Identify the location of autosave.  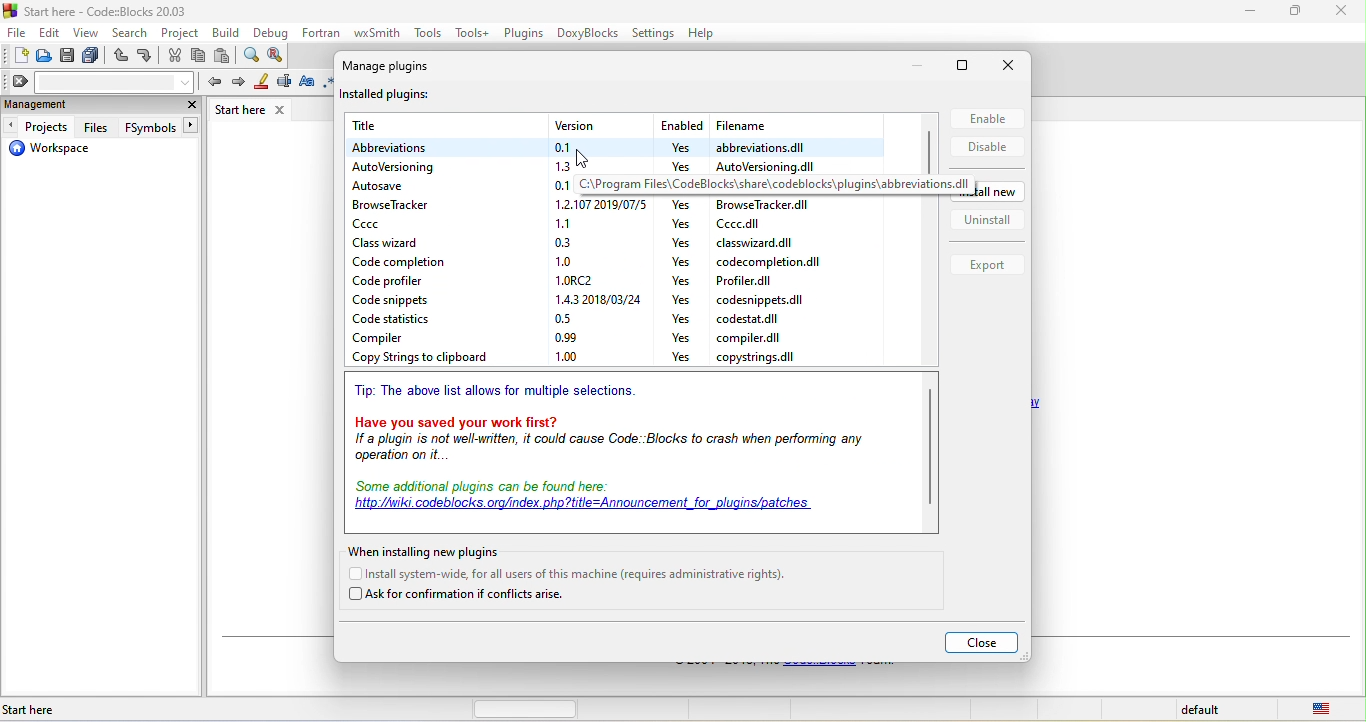
(394, 188).